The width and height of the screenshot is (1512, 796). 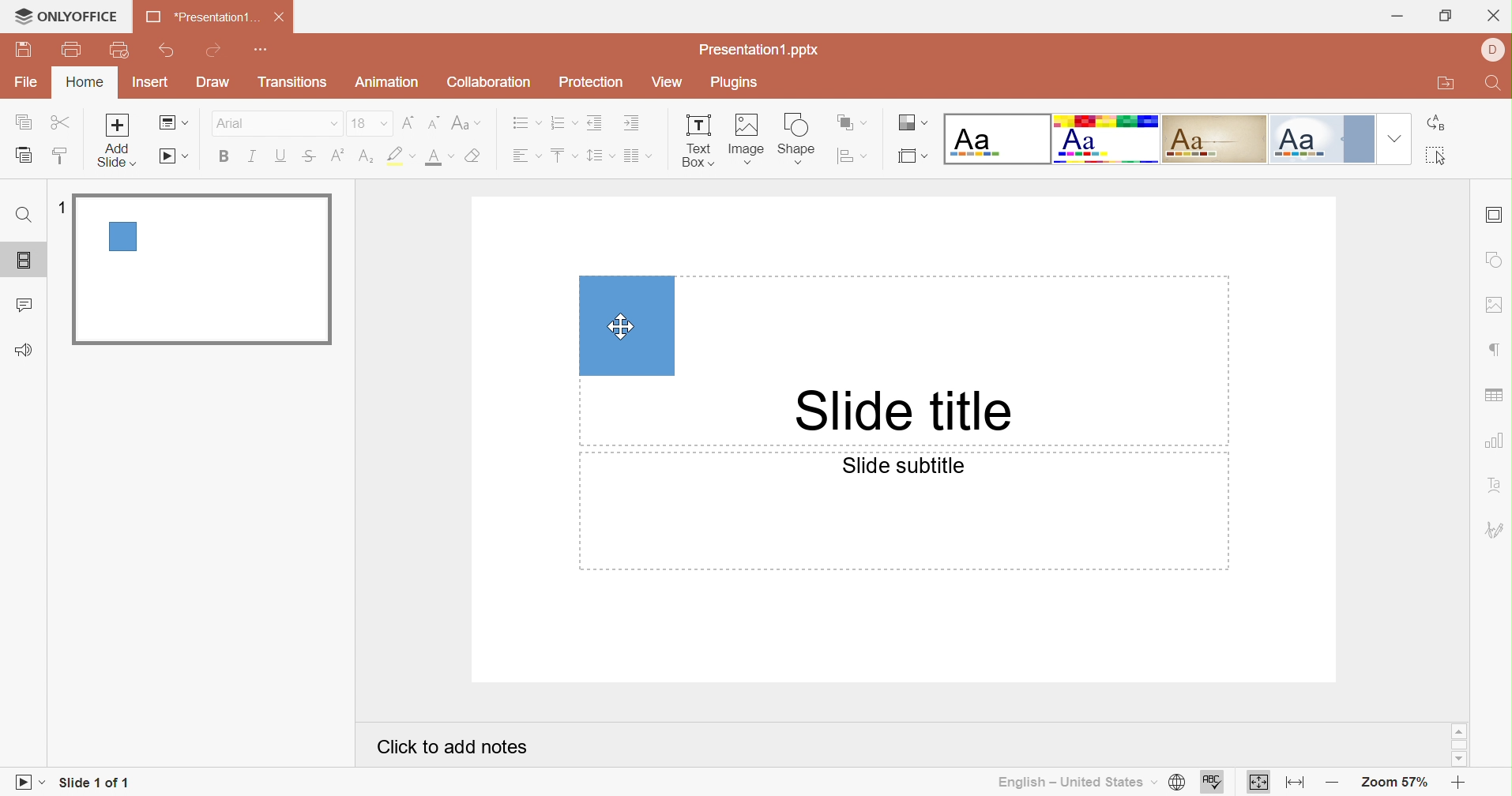 I want to click on Plugins, so click(x=732, y=83).